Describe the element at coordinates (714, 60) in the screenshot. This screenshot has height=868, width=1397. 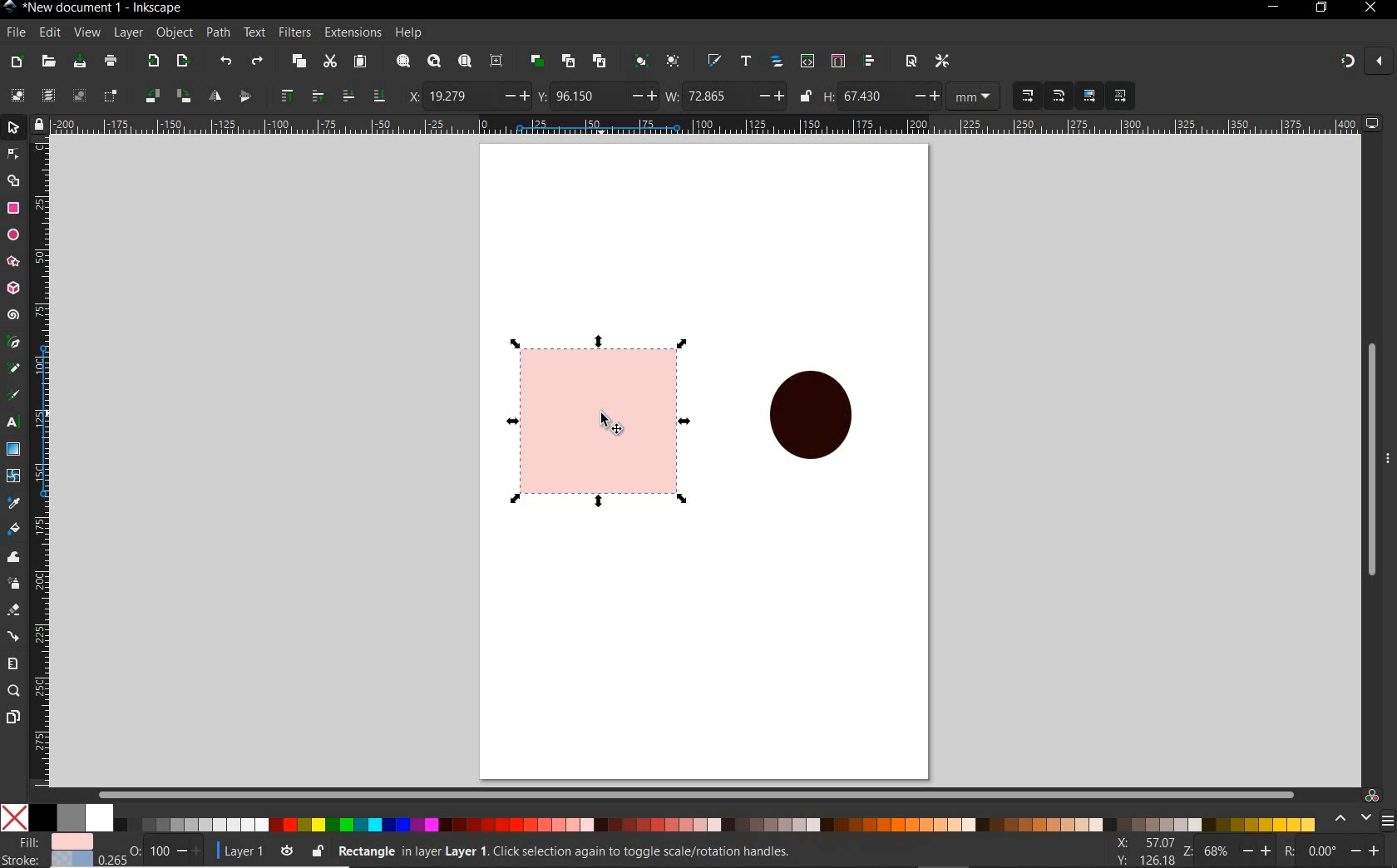
I see `open file & stroke` at that location.